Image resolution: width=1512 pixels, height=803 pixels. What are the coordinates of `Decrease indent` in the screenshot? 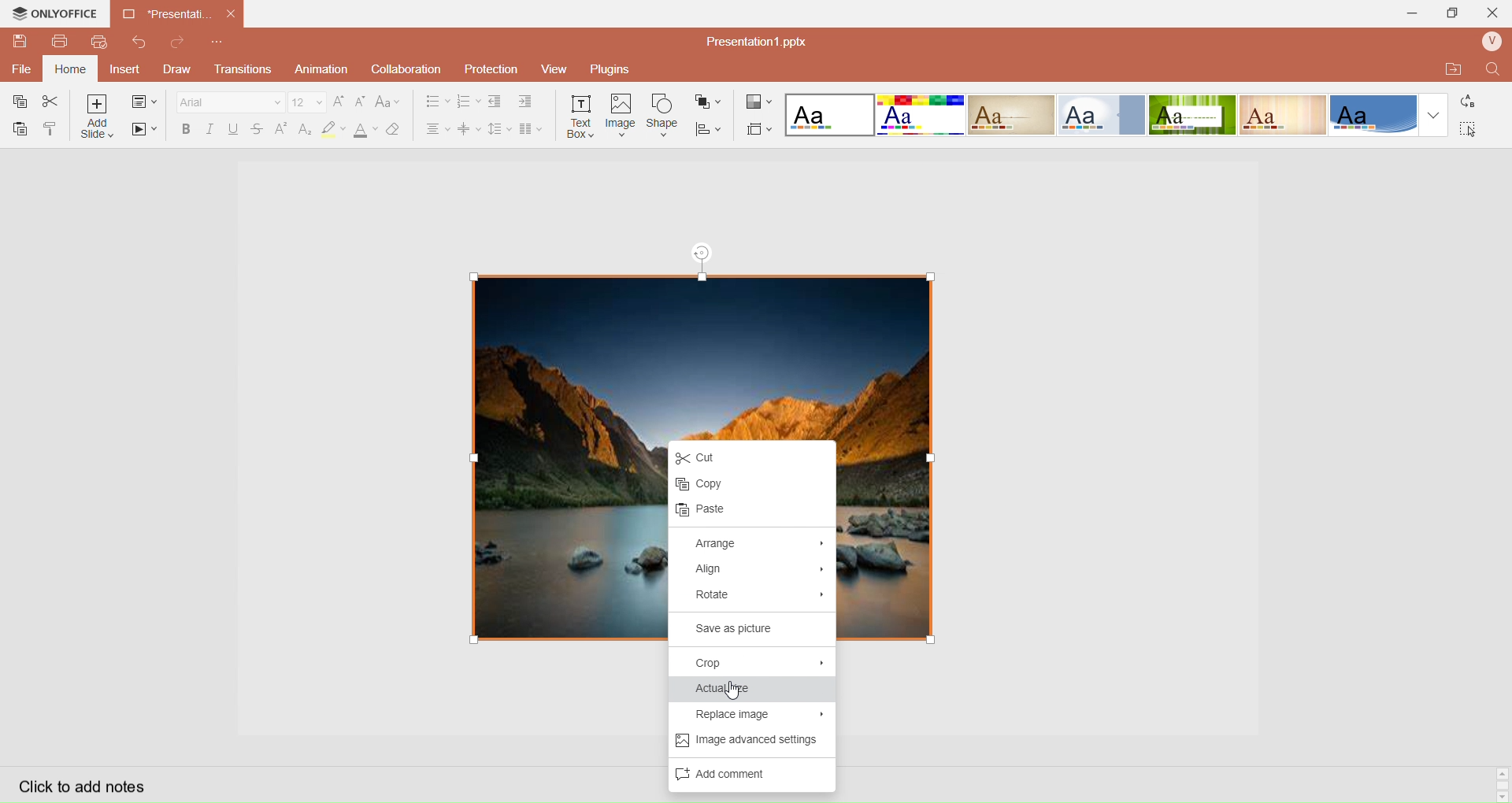 It's located at (498, 102).